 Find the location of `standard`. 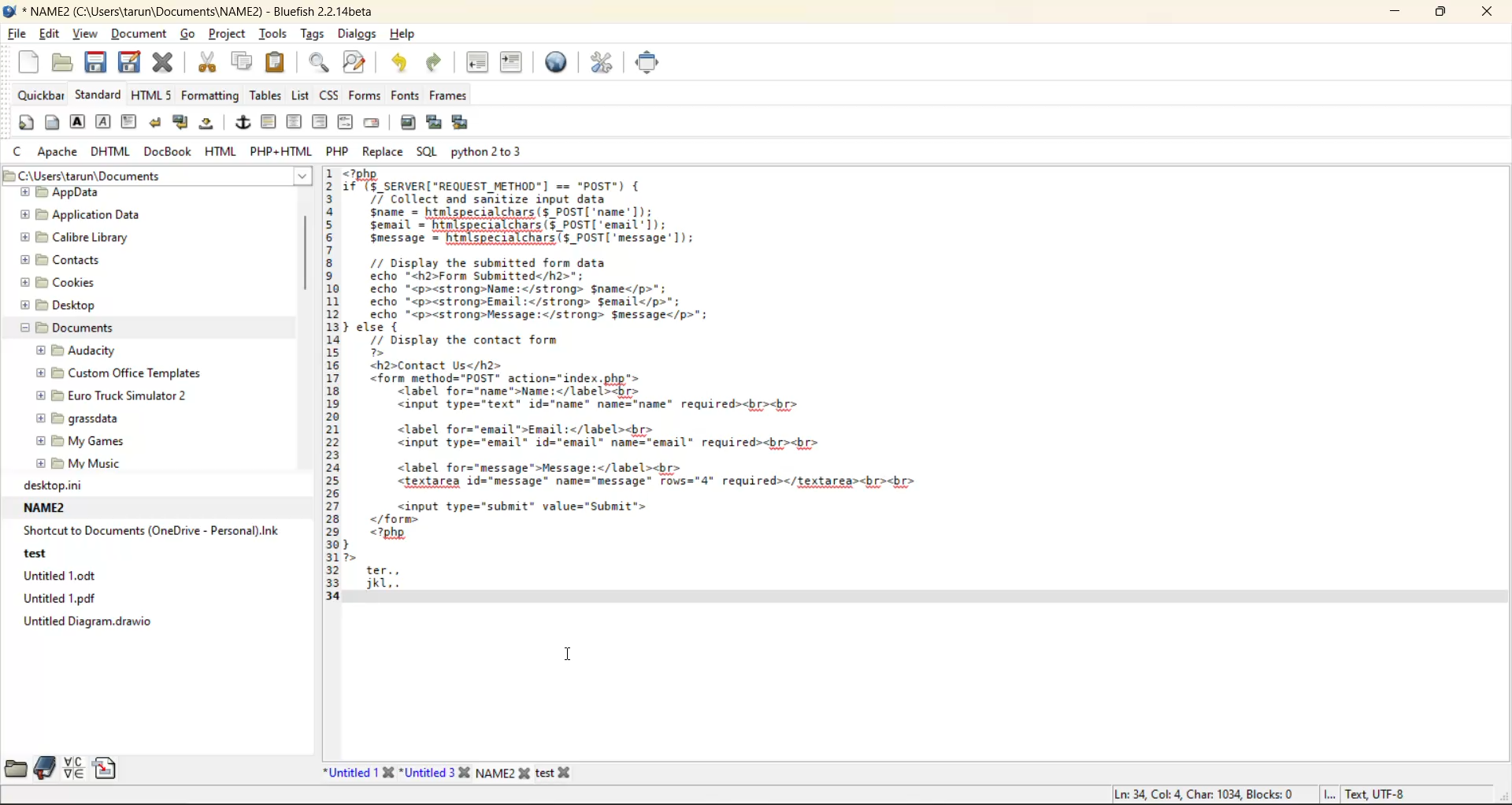

standard is located at coordinates (97, 94).